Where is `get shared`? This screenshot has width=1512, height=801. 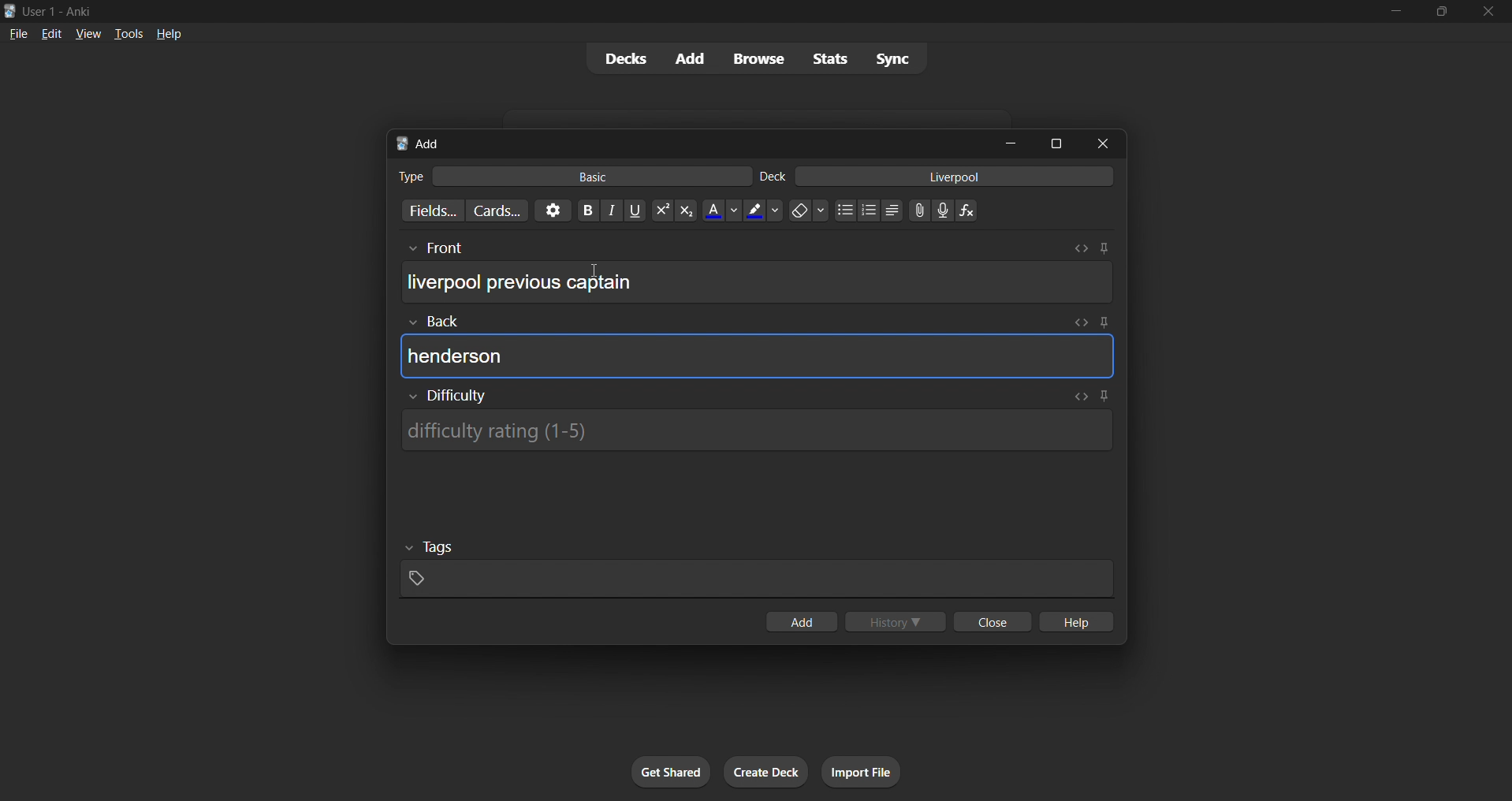 get shared is located at coordinates (672, 773).